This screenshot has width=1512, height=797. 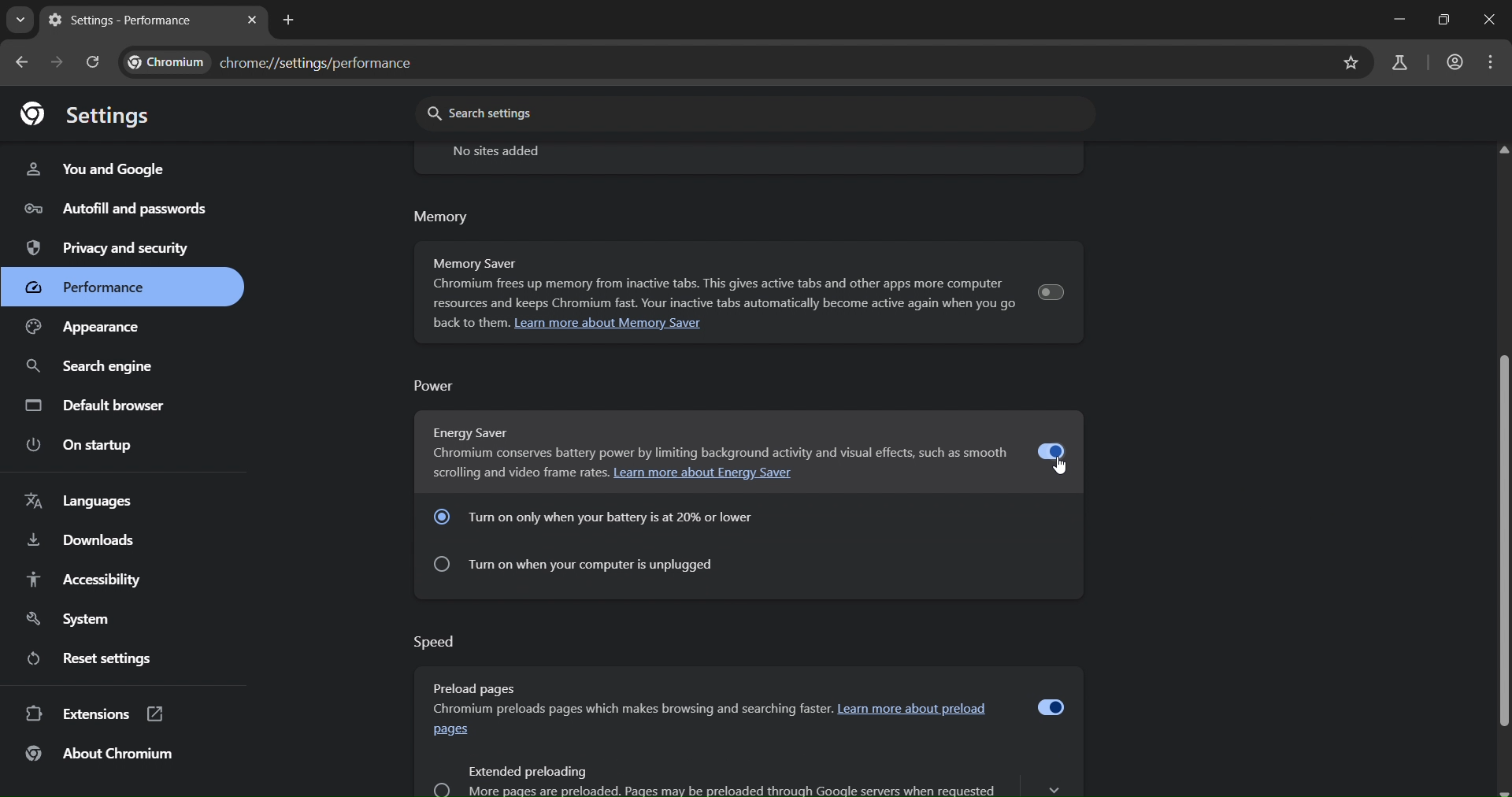 What do you see at coordinates (1054, 784) in the screenshot?
I see `show more` at bounding box center [1054, 784].